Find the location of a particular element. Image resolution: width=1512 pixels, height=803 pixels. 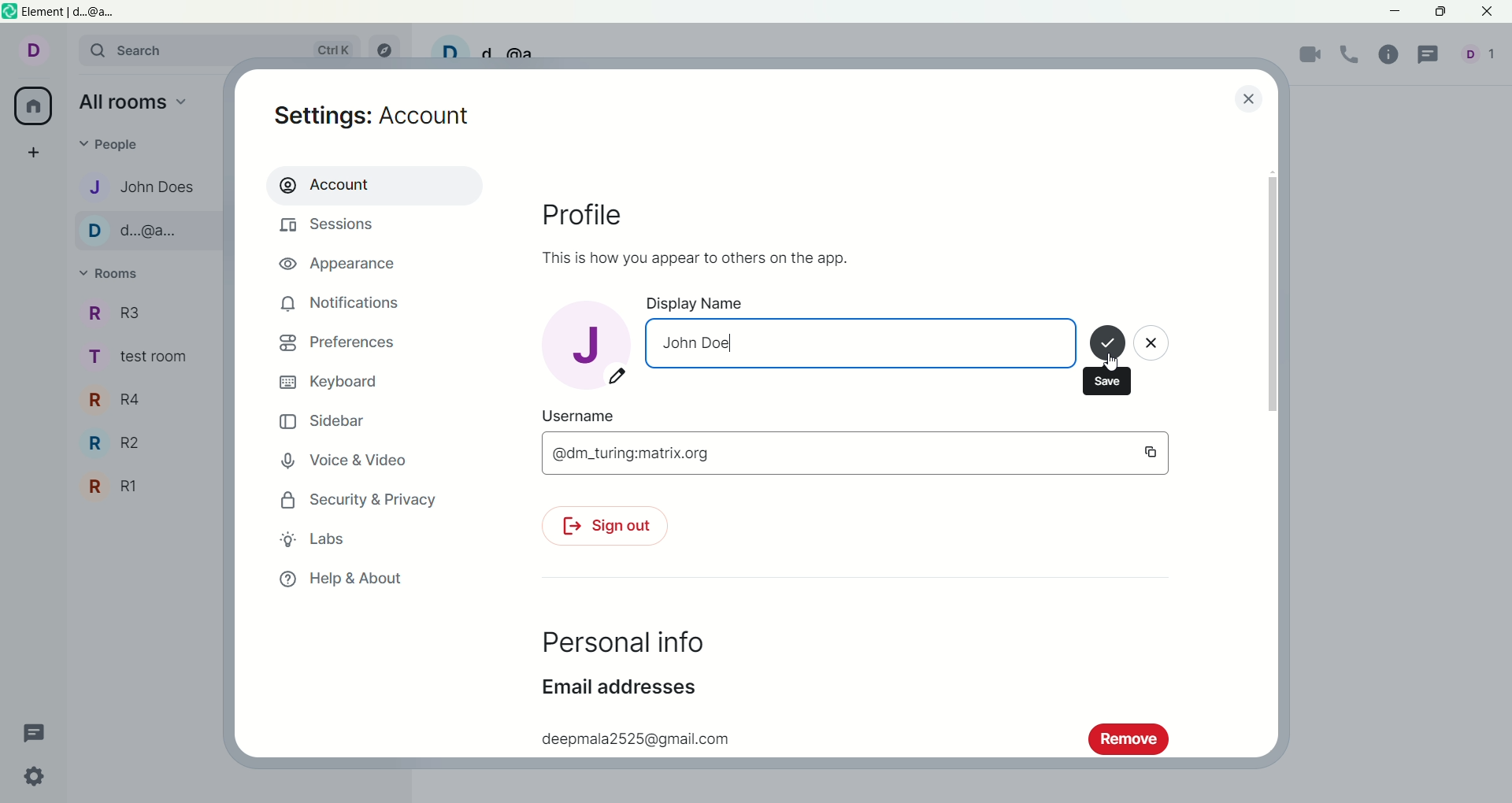

R4 is located at coordinates (121, 400).